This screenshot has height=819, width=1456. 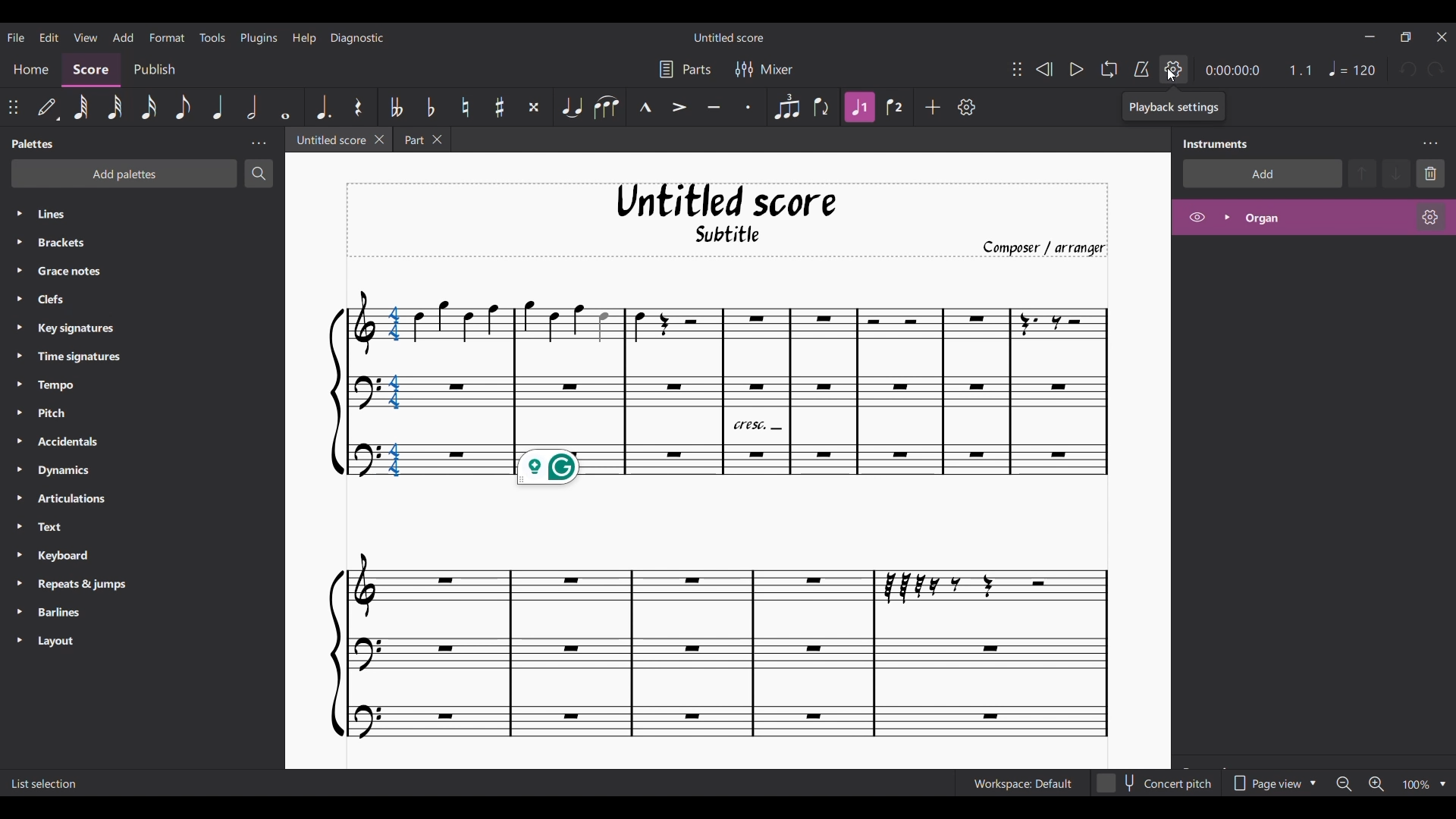 I want to click on Play, so click(x=1076, y=69).